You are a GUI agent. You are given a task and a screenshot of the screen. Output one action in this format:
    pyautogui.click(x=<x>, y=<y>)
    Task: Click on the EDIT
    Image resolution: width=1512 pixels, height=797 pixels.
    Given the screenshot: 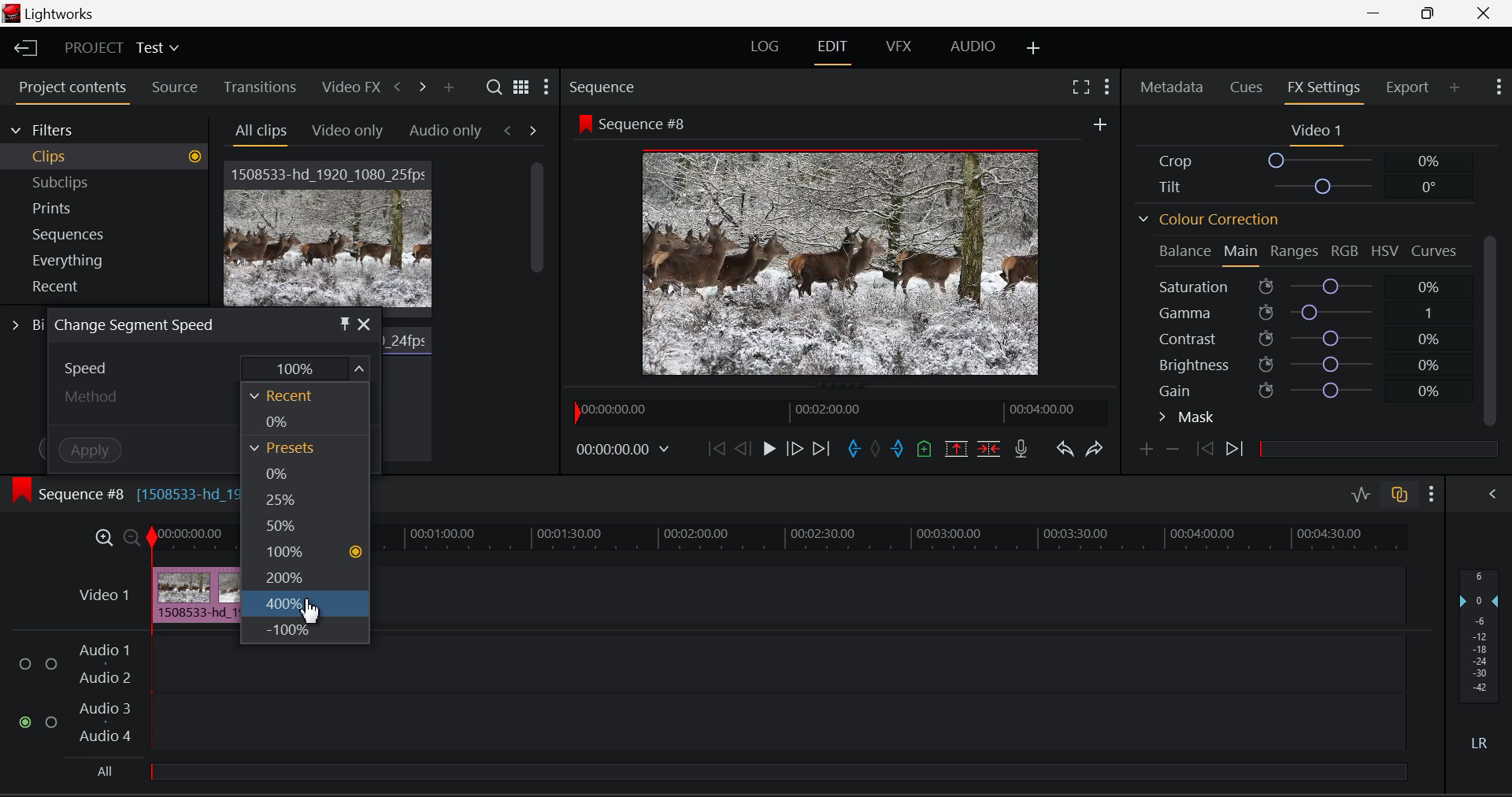 What is the action you would take?
    pyautogui.click(x=836, y=50)
    